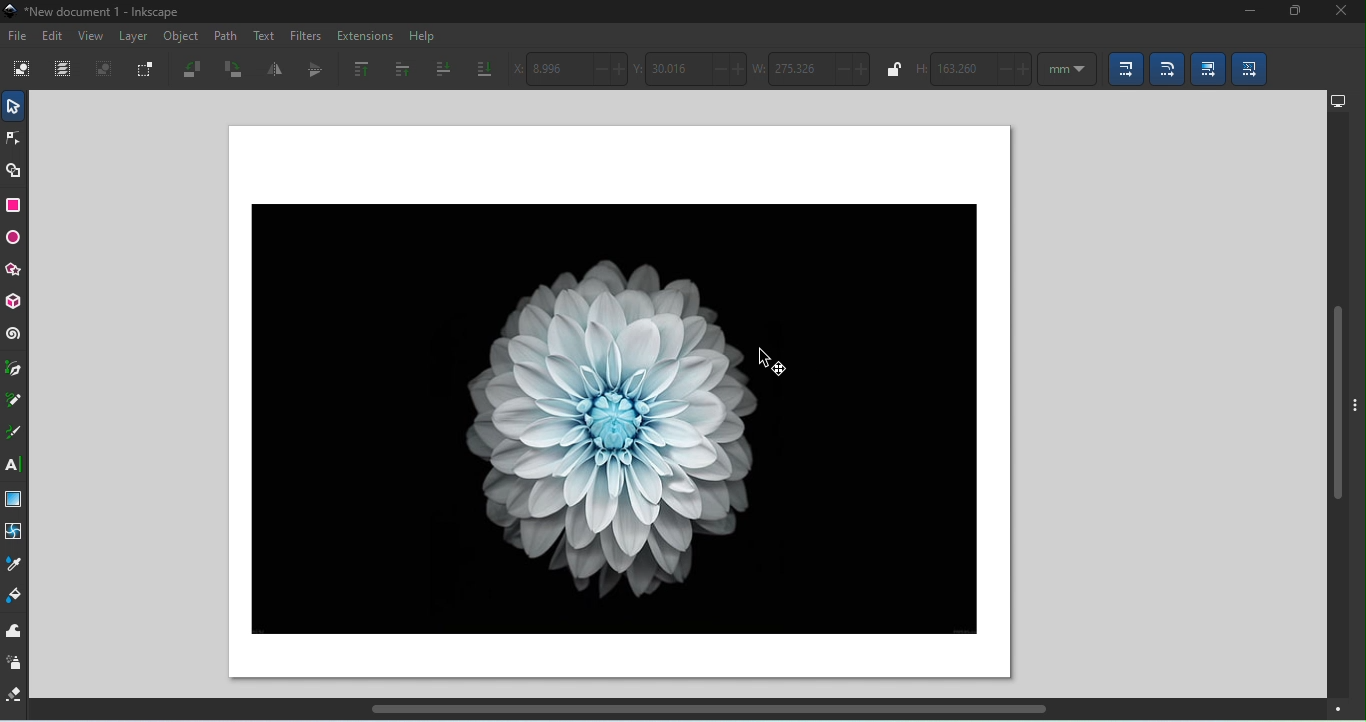  Describe the element at coordinates (1122, 71) in the screenshot. I see `When scaling objects, scale the stroke width by same proportion` at that location.